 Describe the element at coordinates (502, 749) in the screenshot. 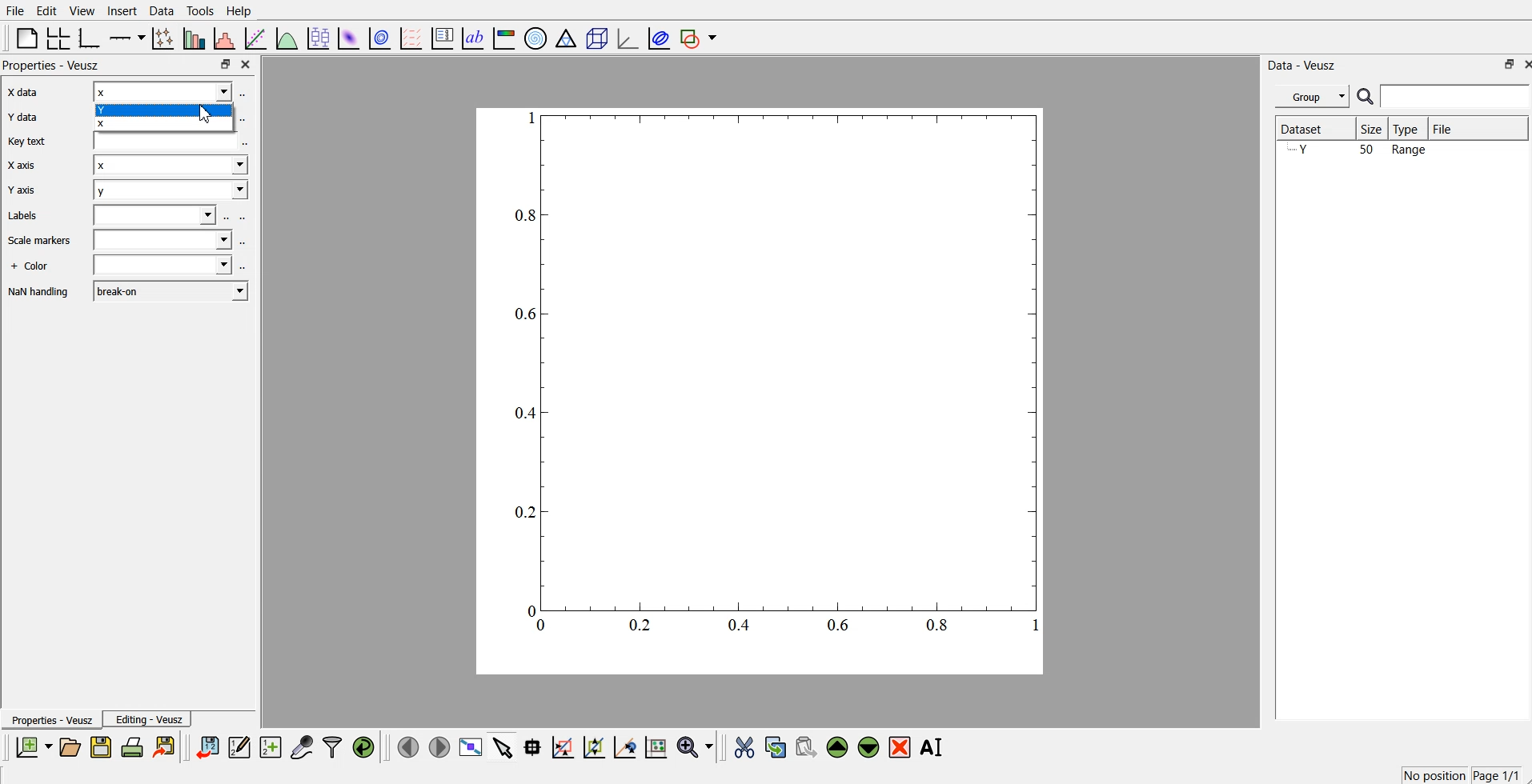

I see `select items` at that location.